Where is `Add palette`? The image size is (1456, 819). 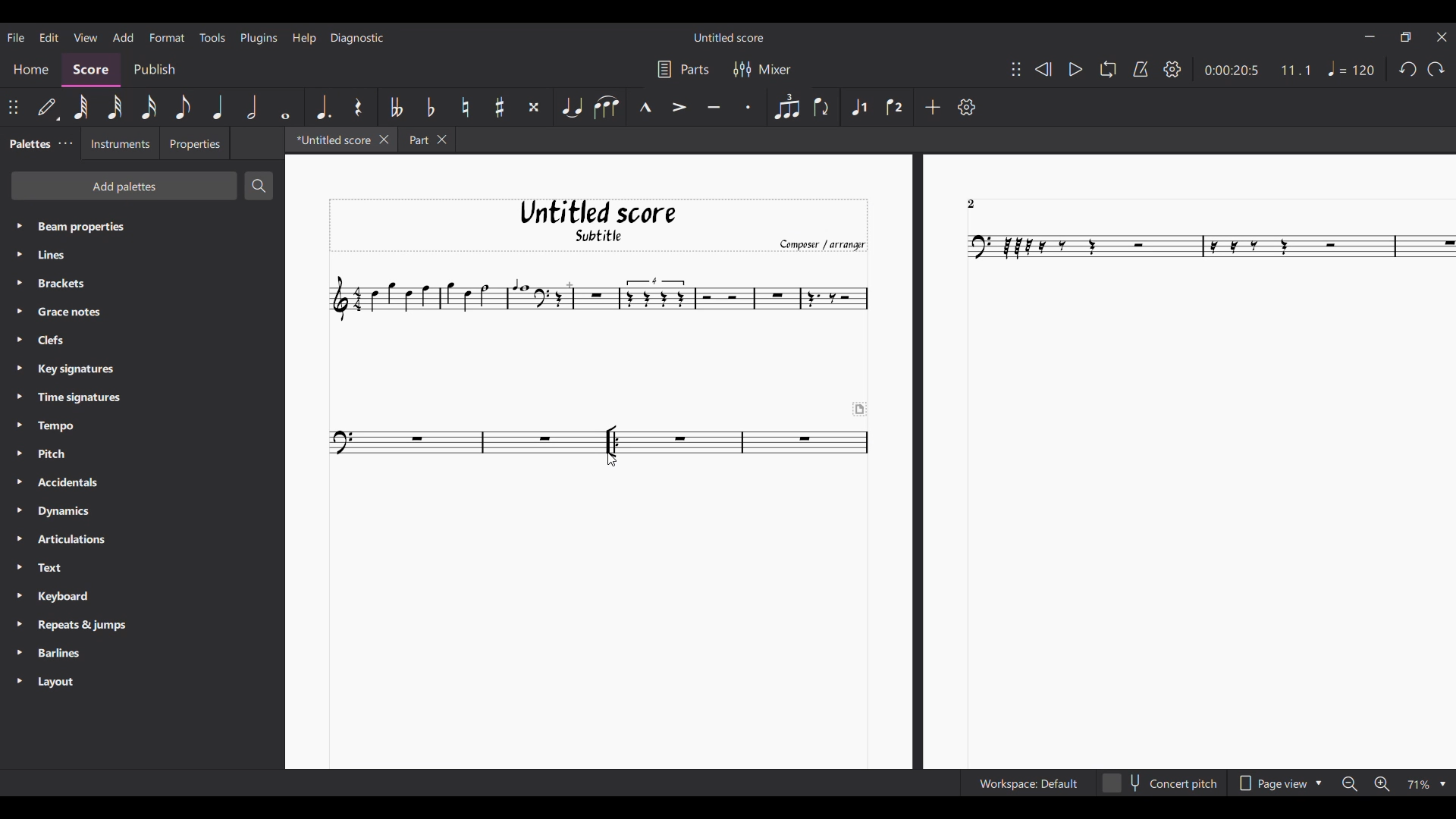
Add palette is located at coordinates (125, 186).